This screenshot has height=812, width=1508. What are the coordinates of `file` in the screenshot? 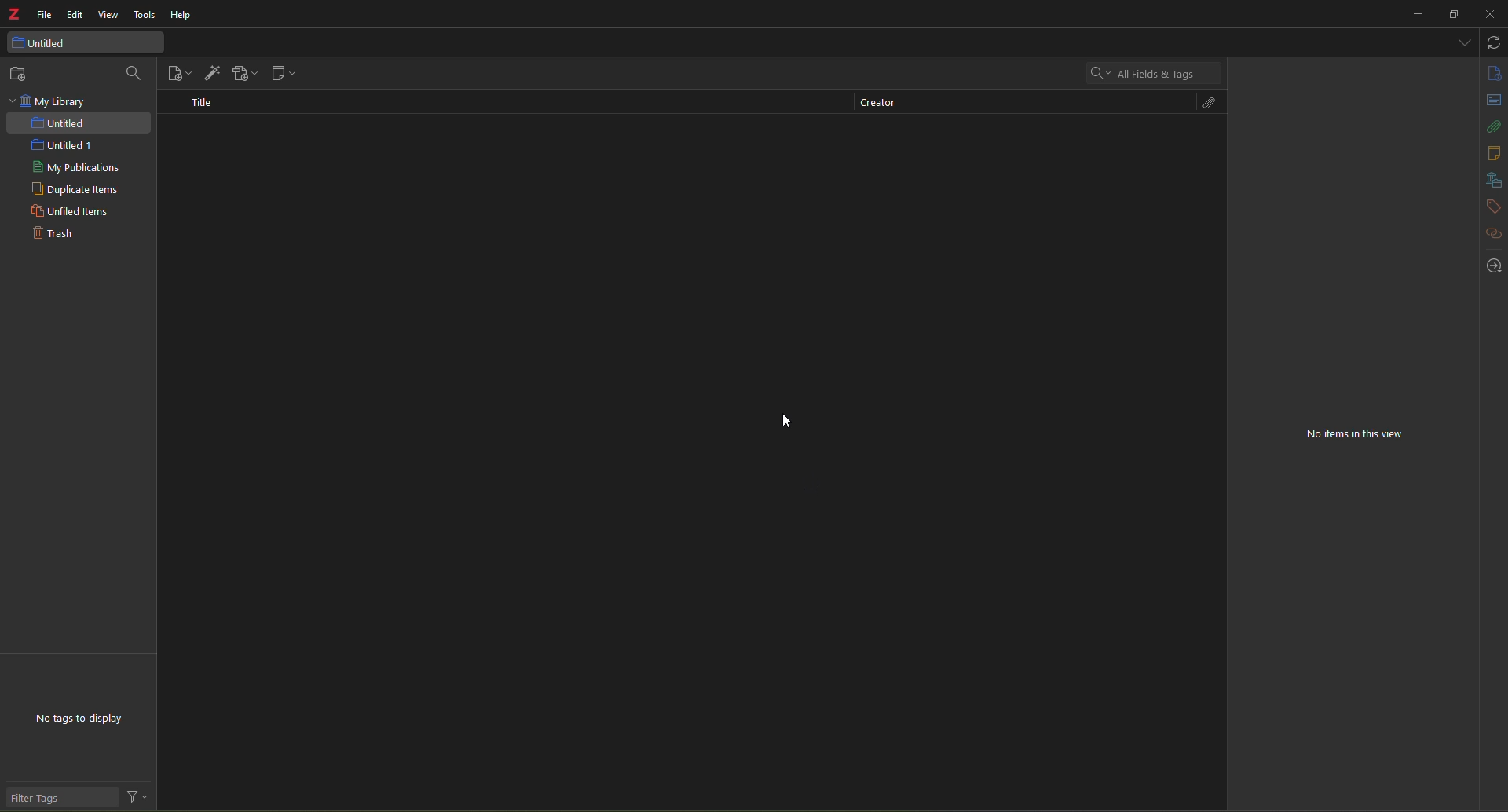 It's located at (42, 16).